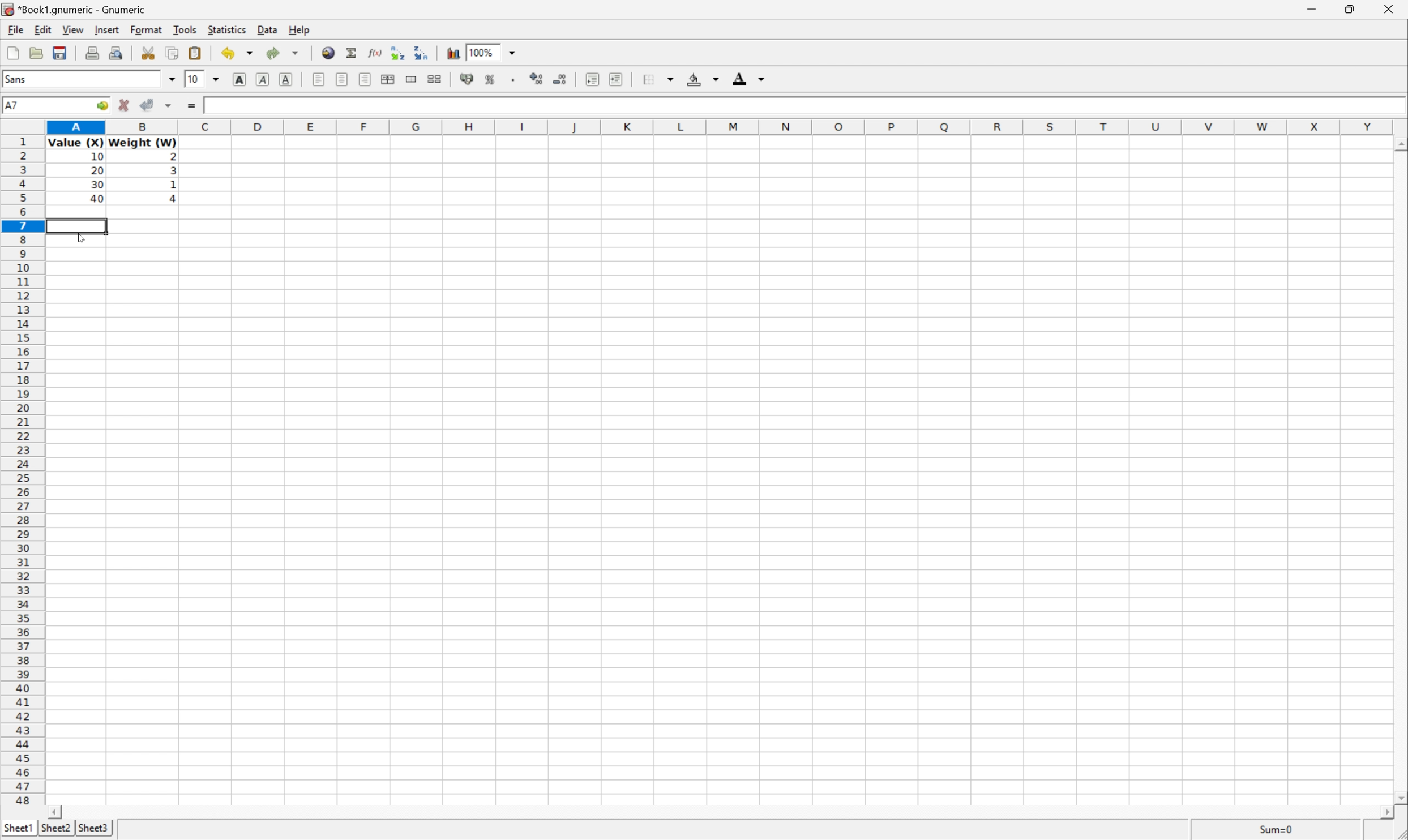 This screenshot has width=1408, height=840. Describe the element at coordinates (1399, 144) in the screenshot. I see `Scroll Up` at that location.